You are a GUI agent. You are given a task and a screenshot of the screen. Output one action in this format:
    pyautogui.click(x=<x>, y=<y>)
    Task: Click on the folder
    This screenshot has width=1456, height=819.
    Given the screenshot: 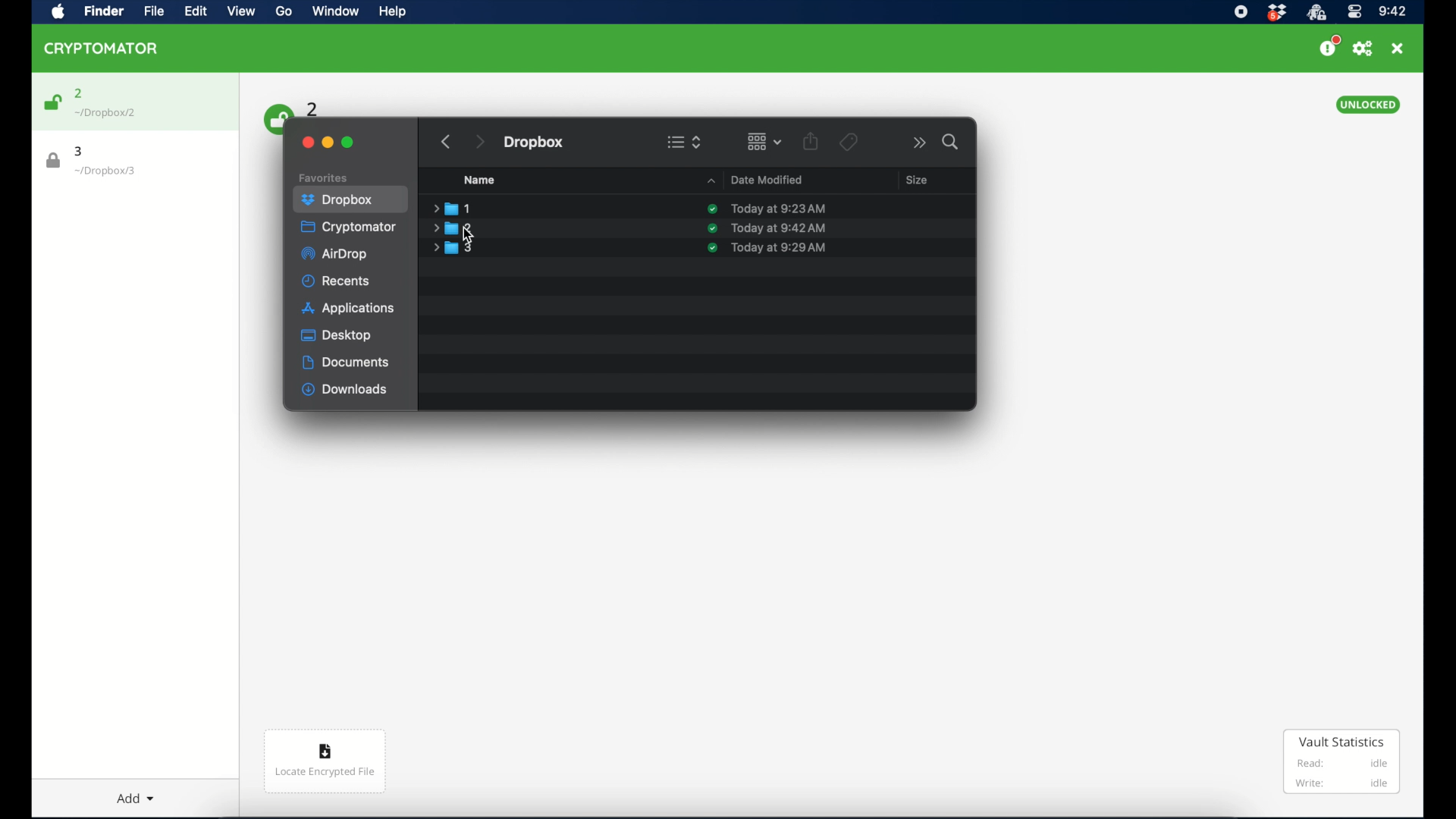 What is the action you would take?
    pyautogui.click(x=452, y=208)
    